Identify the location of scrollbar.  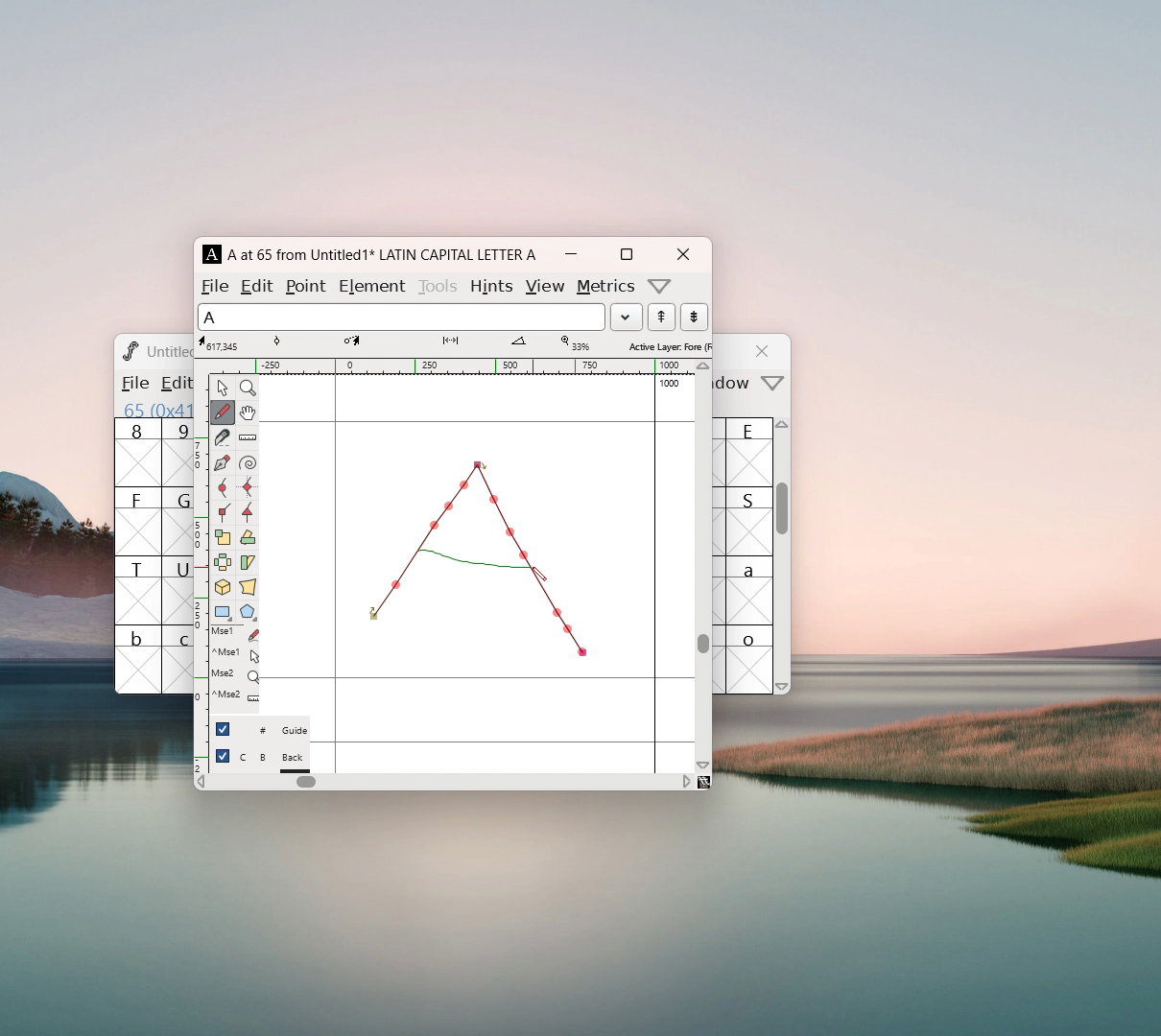
(783, 518).